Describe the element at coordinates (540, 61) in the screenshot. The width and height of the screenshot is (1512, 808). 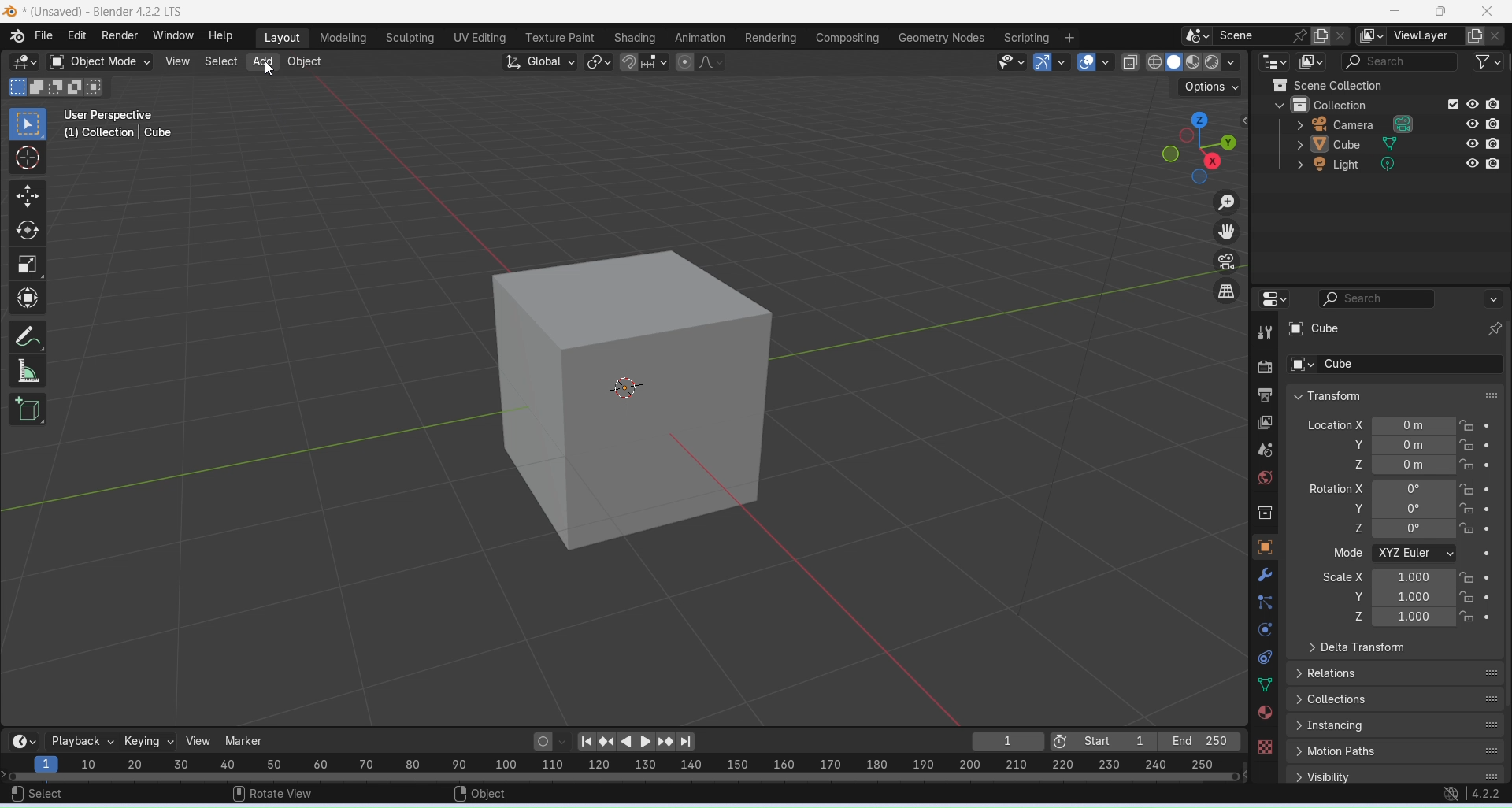
I see `Global` at that location.